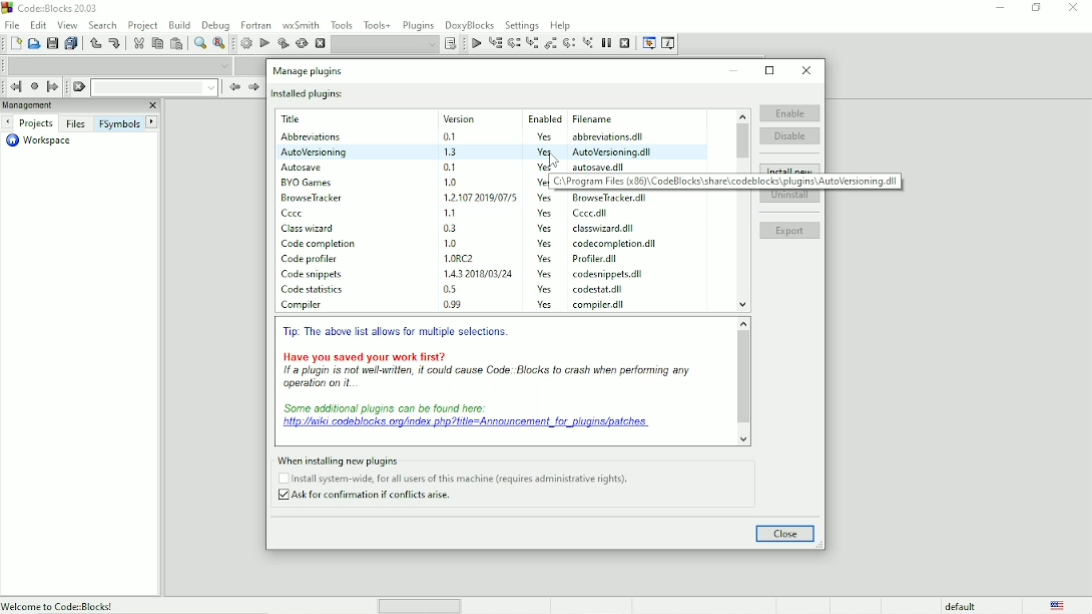 The height and width of the screenshot is (614, 1092). Describe the element at coordinates (34, 86) in the screenshot. I see `Last jump` at that location.